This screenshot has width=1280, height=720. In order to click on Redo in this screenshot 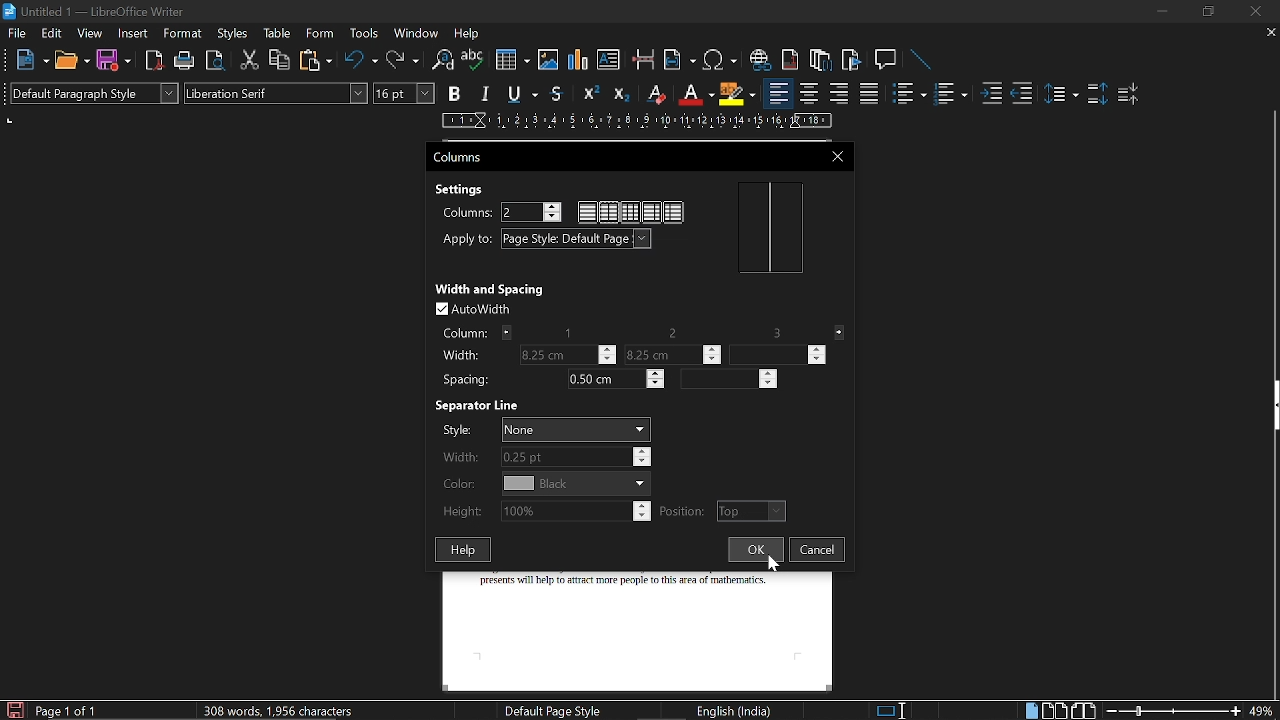, I will do `click(402, 60)`.